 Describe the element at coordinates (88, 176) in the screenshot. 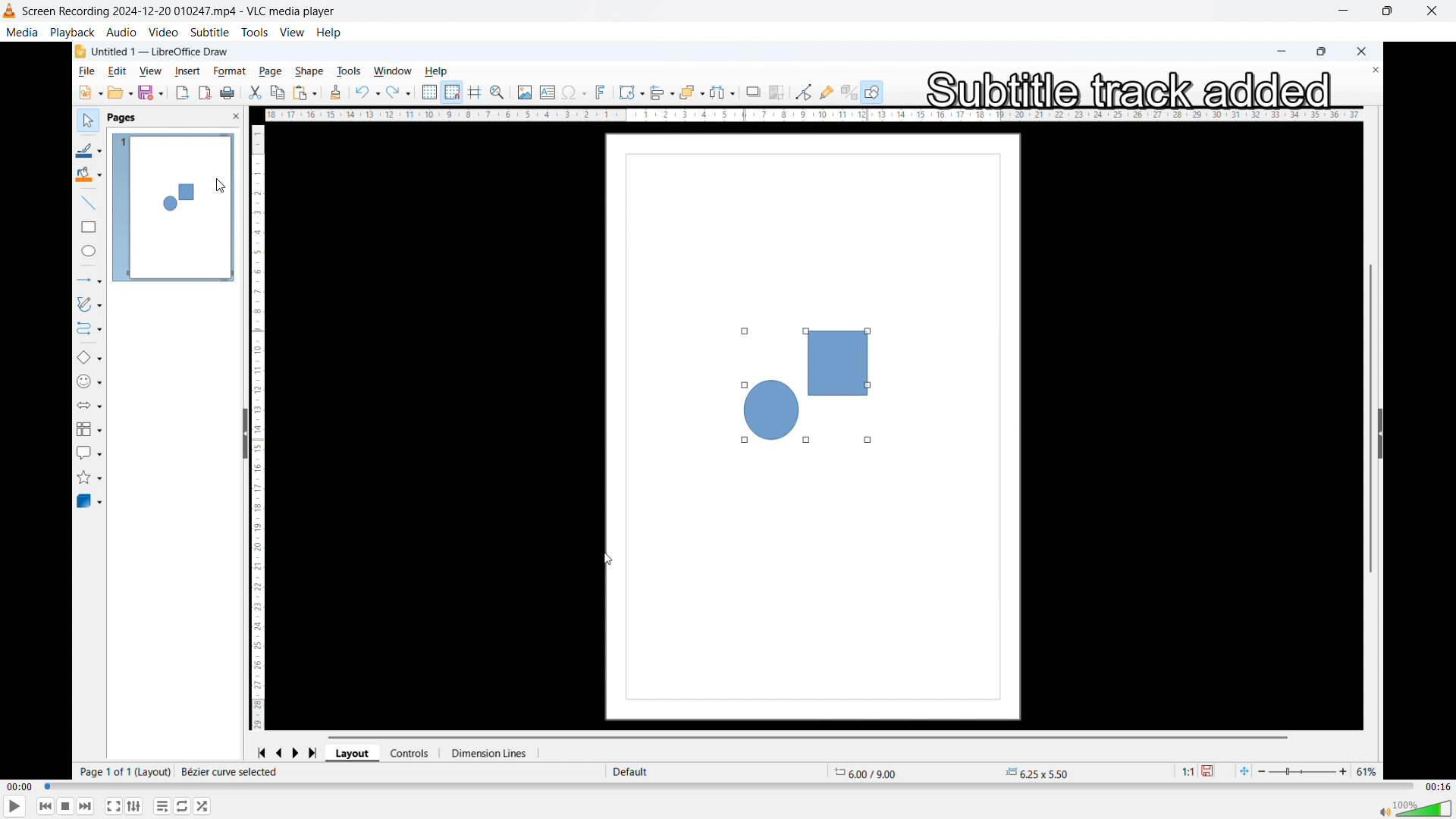

I see `fill bar` at that location.